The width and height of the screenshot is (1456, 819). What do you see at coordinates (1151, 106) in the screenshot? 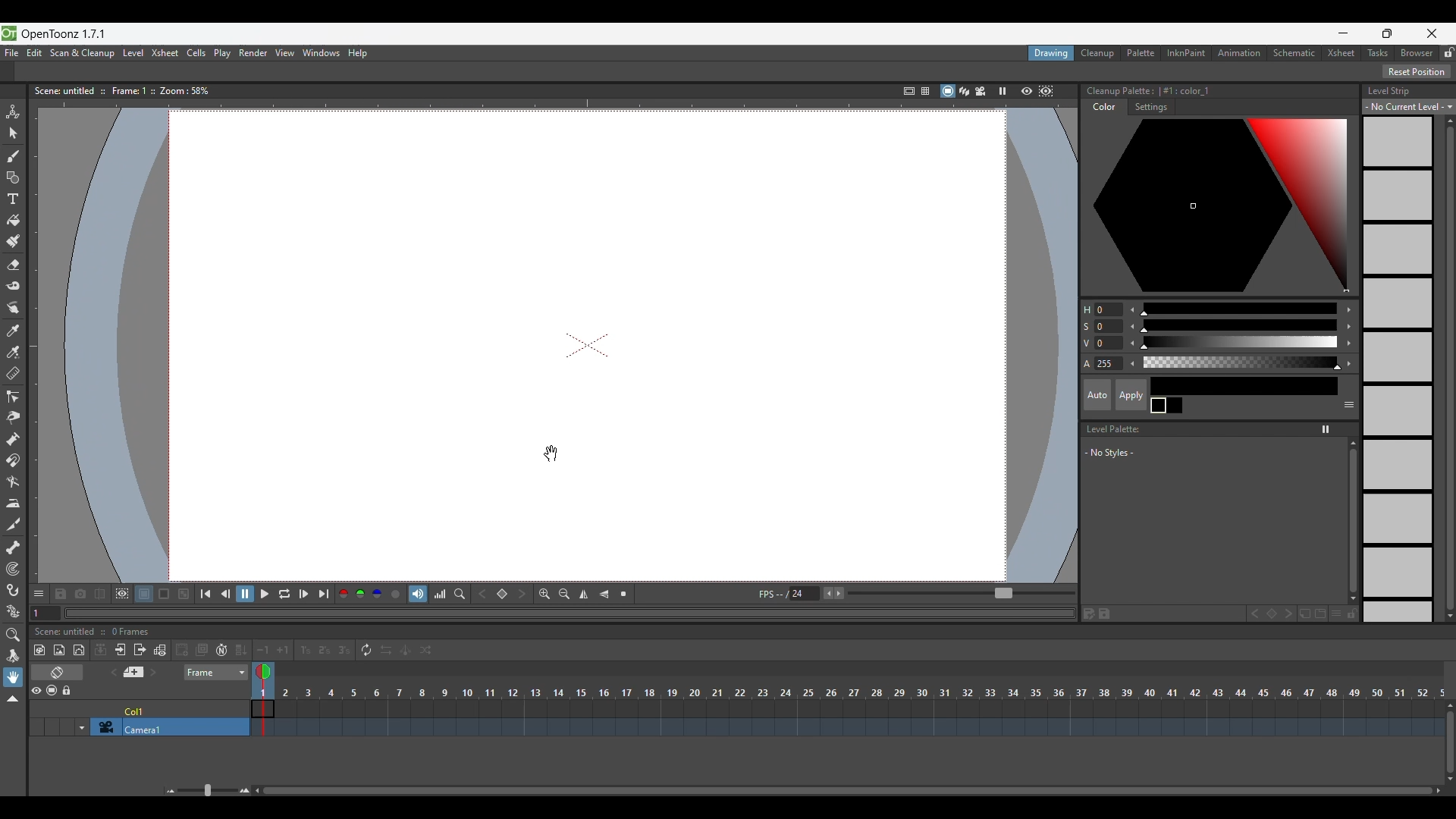
I see `Settings` at bounding box center [1151, 106].